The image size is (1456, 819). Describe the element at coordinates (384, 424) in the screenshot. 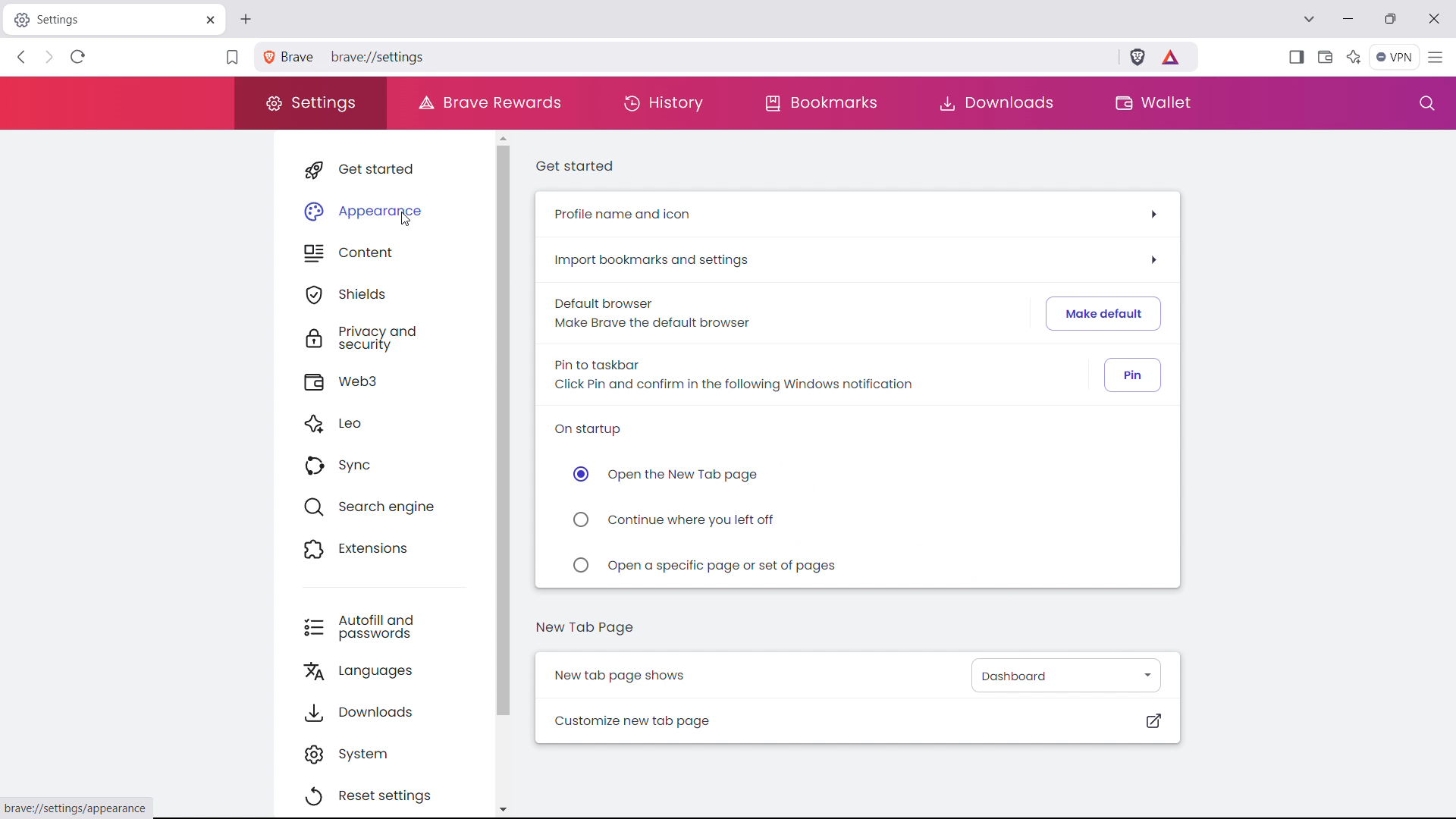

I see `leo` at that location.